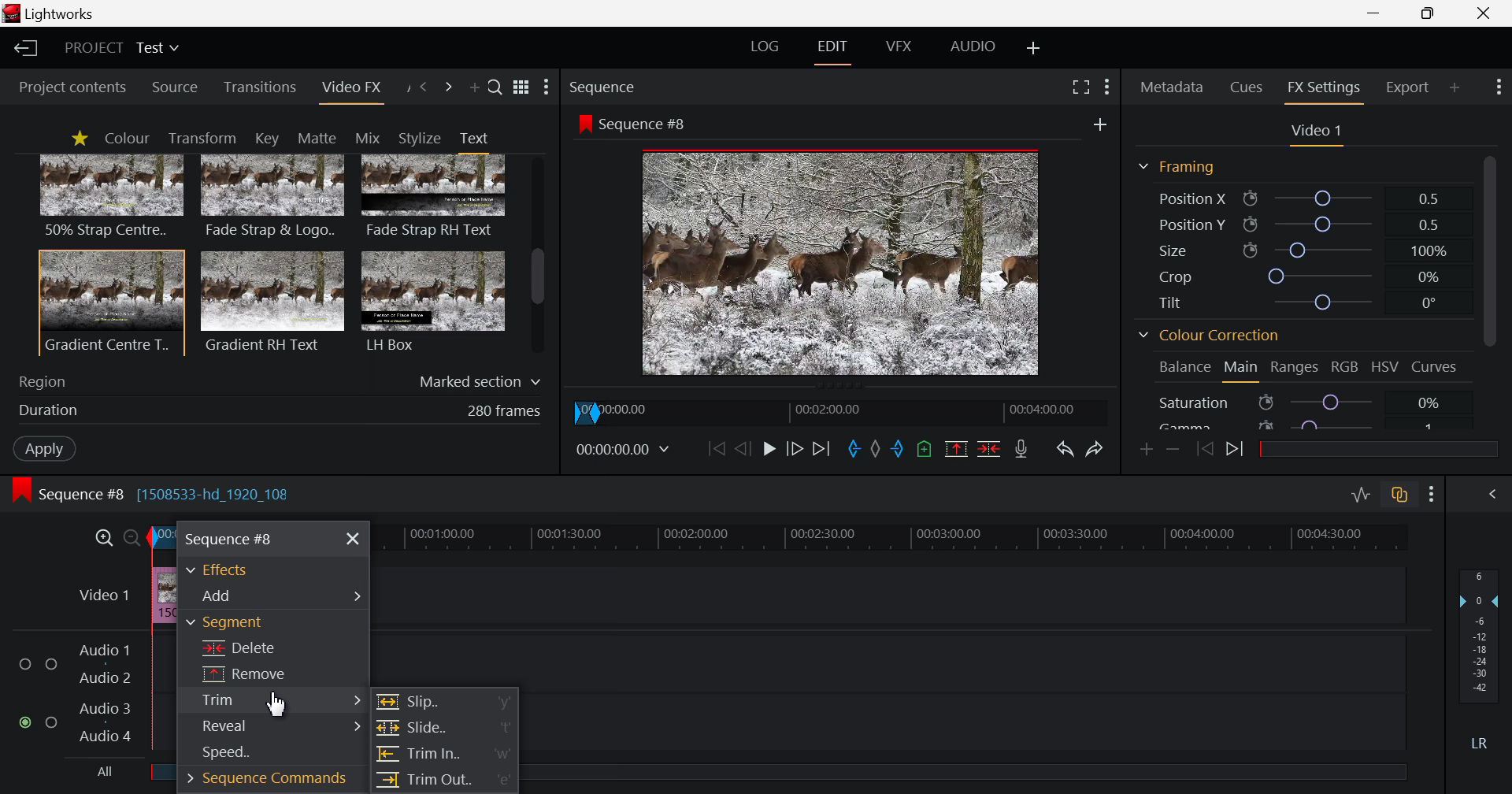 The height and width of the screenshot is (794, 1512). What do you see at coordinates (1323, 87) in the screenshot?
I see `FX Settings` at bounding box center [1323, 87].